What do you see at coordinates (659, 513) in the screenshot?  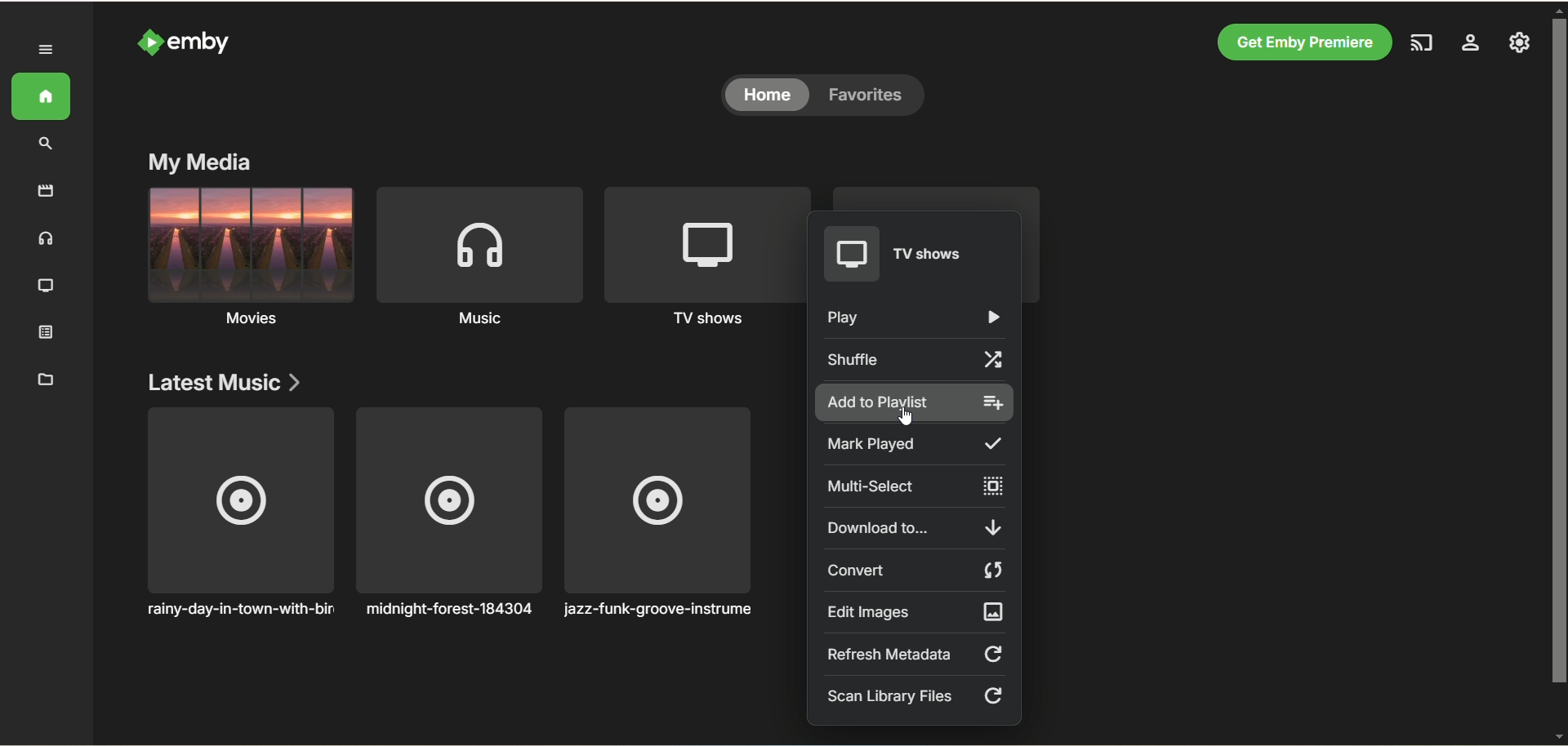 I see `music album` at bounding box center [659, 513].